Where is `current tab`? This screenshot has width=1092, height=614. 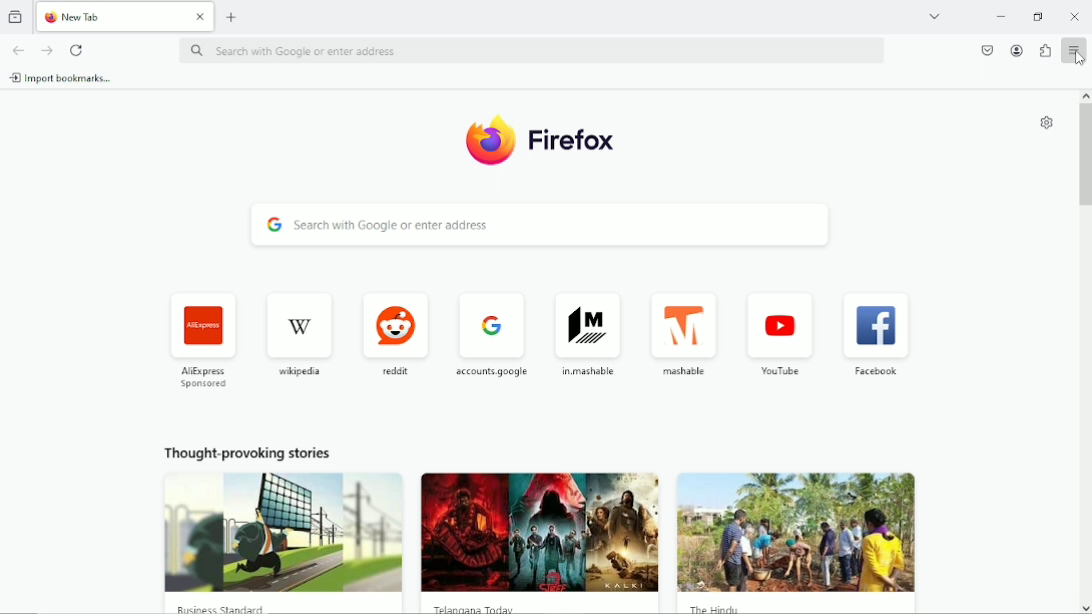
current tab is located at coordinates (123, 16).